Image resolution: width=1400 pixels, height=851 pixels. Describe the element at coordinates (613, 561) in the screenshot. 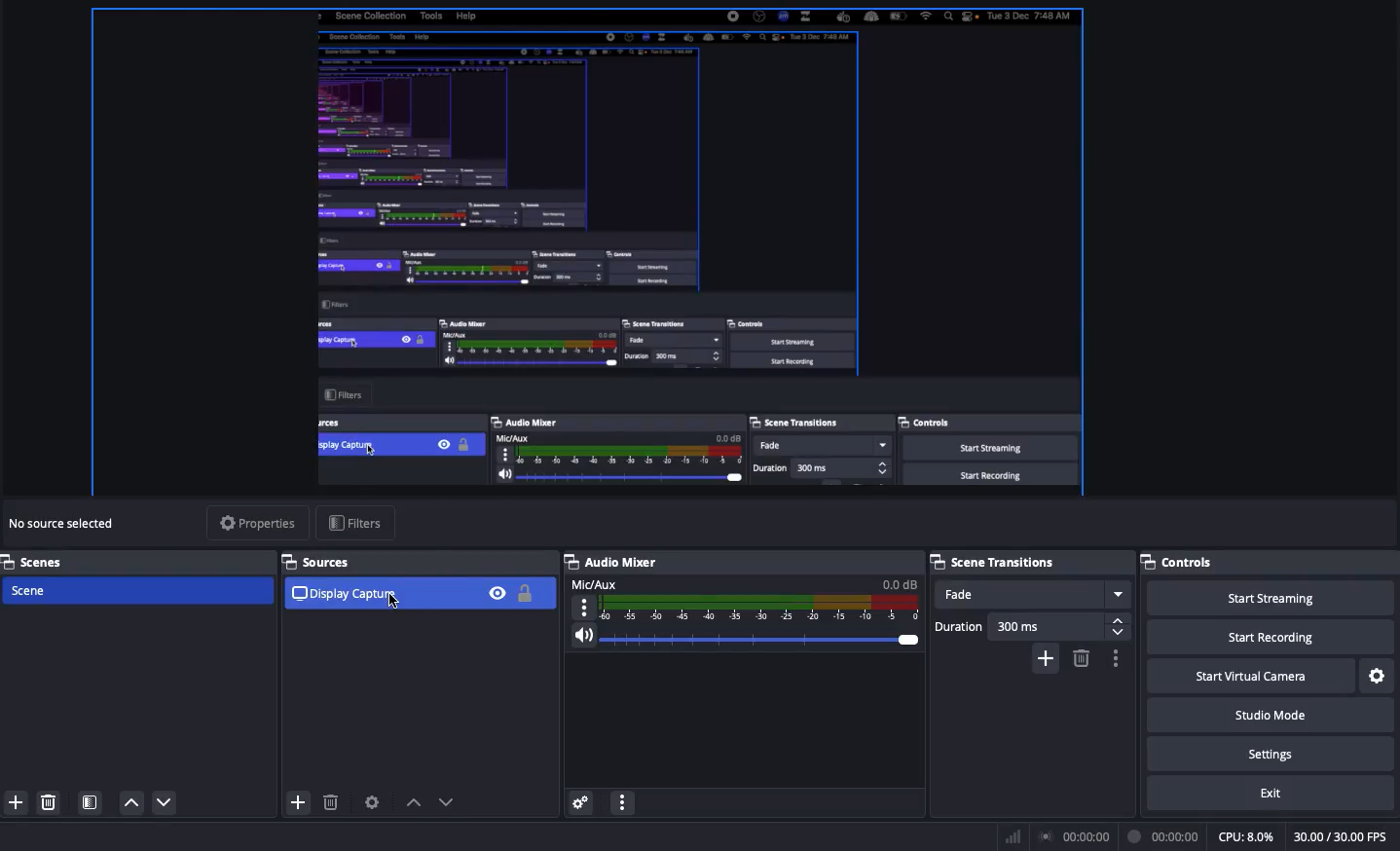

I see `Audio mixer` at that location.